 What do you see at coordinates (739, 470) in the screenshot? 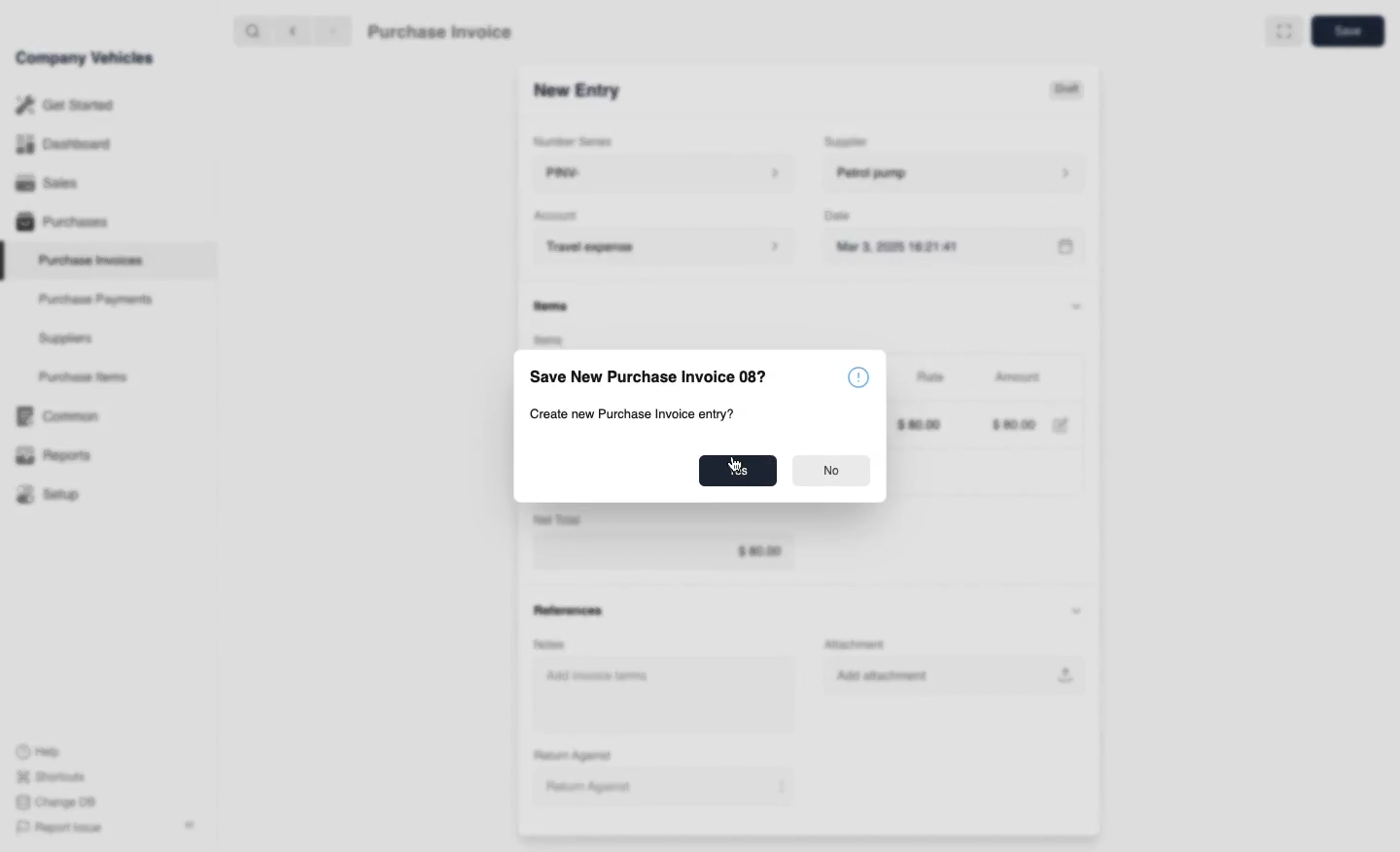
I see `yes` at bounding box center [739, 470].